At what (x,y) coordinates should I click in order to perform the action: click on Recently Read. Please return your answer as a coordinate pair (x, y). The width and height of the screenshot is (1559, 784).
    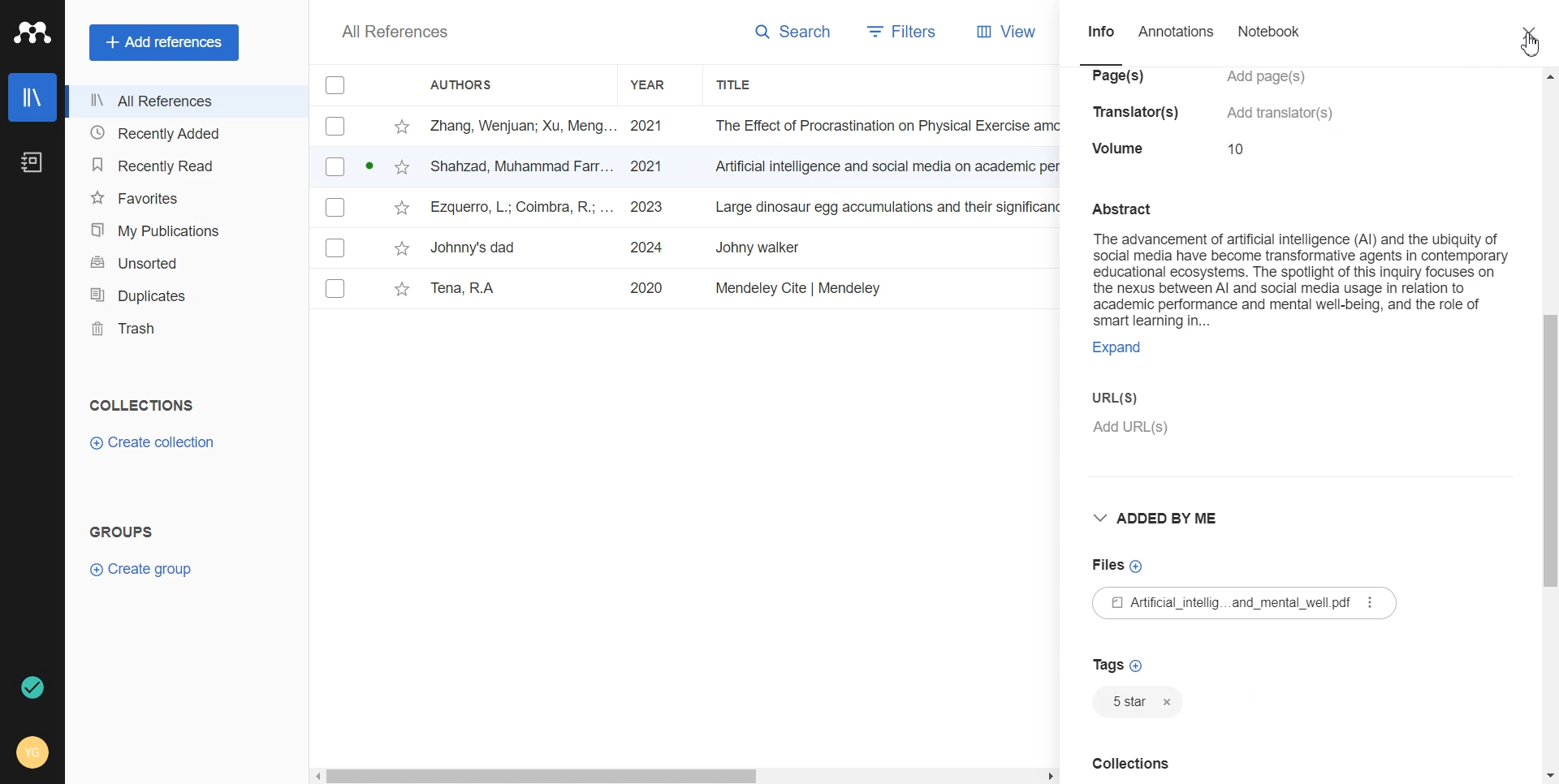
    Looking at the image, I should click on (183, 166).